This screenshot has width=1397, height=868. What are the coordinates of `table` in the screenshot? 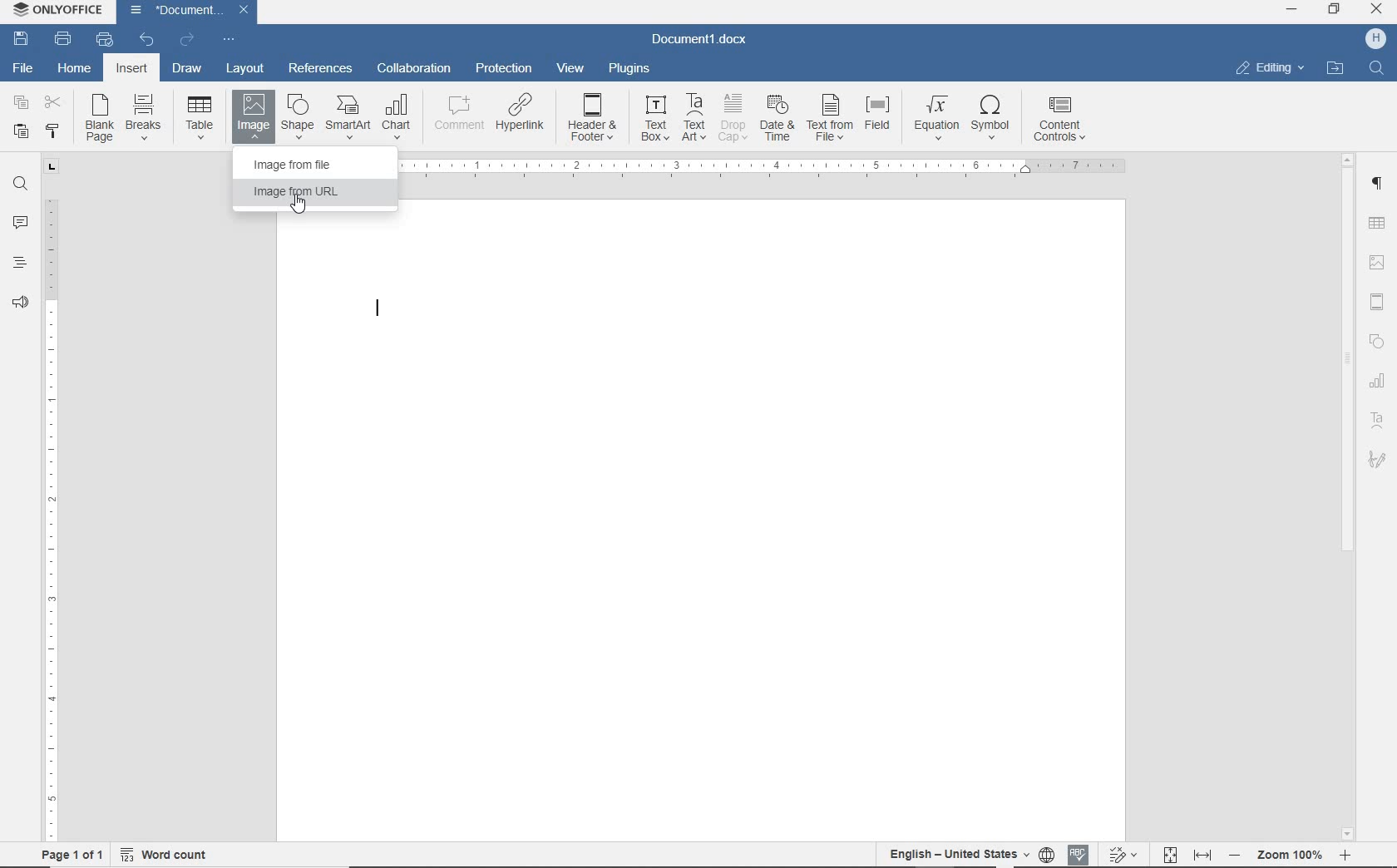 It's located at (201, 119).